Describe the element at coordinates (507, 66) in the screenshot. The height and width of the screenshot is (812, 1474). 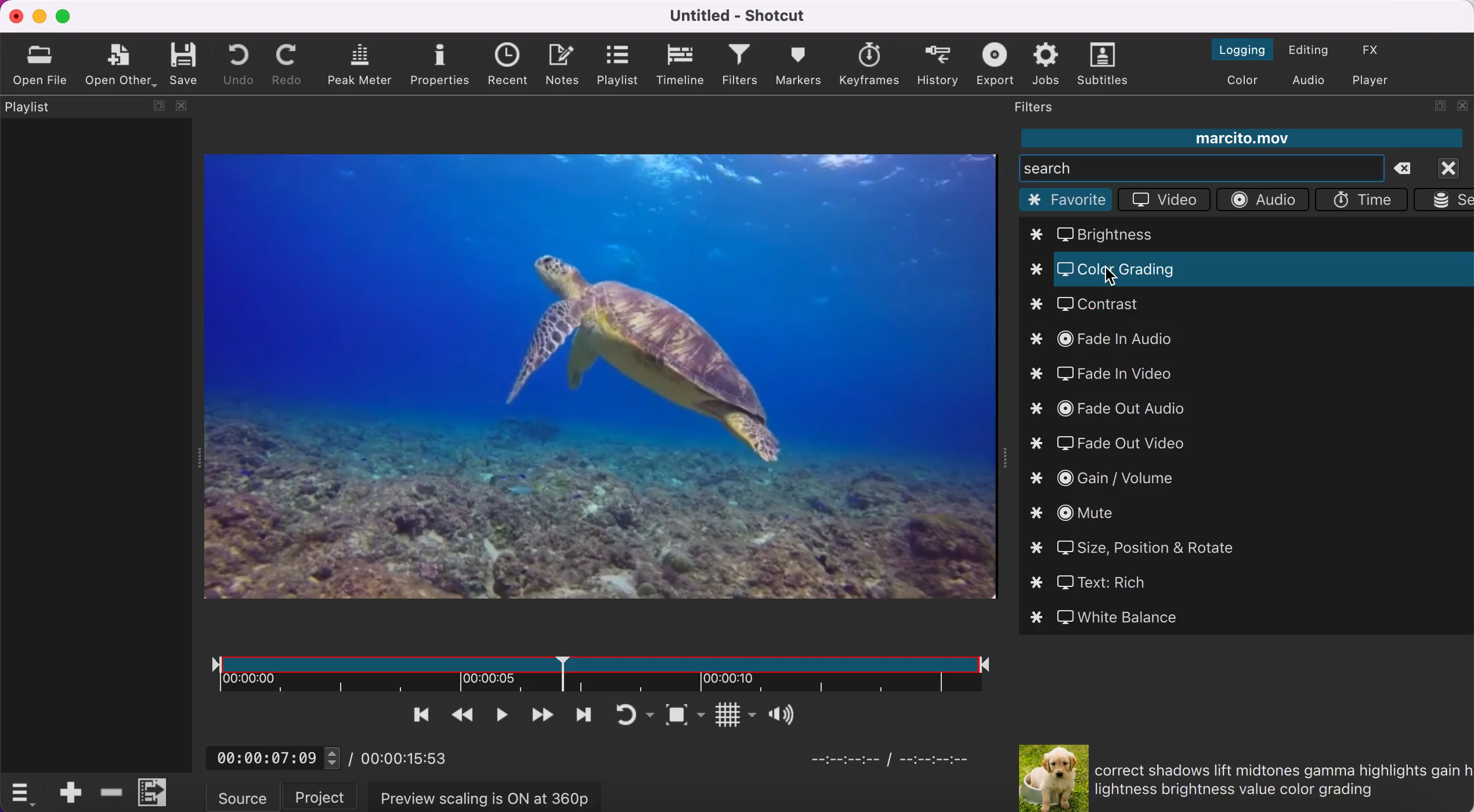
I see `recent` at that location.